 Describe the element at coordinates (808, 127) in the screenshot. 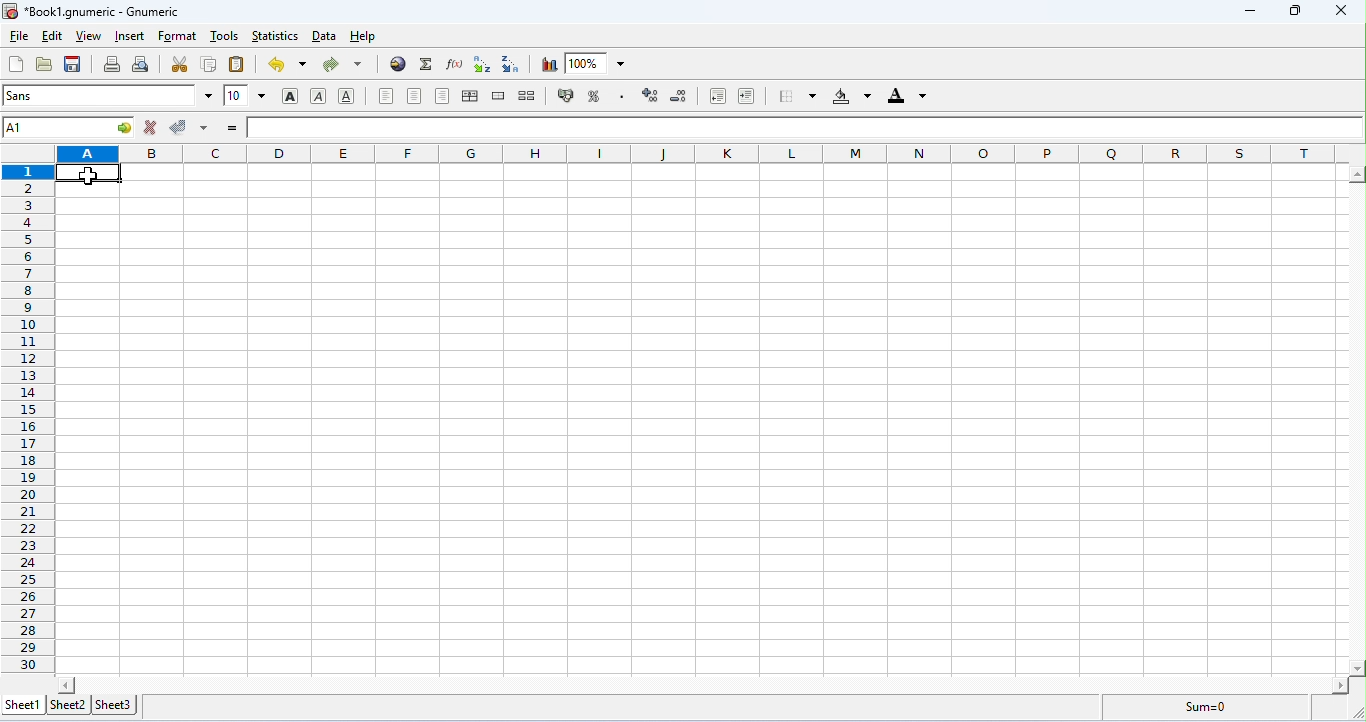

I see `` at that location.